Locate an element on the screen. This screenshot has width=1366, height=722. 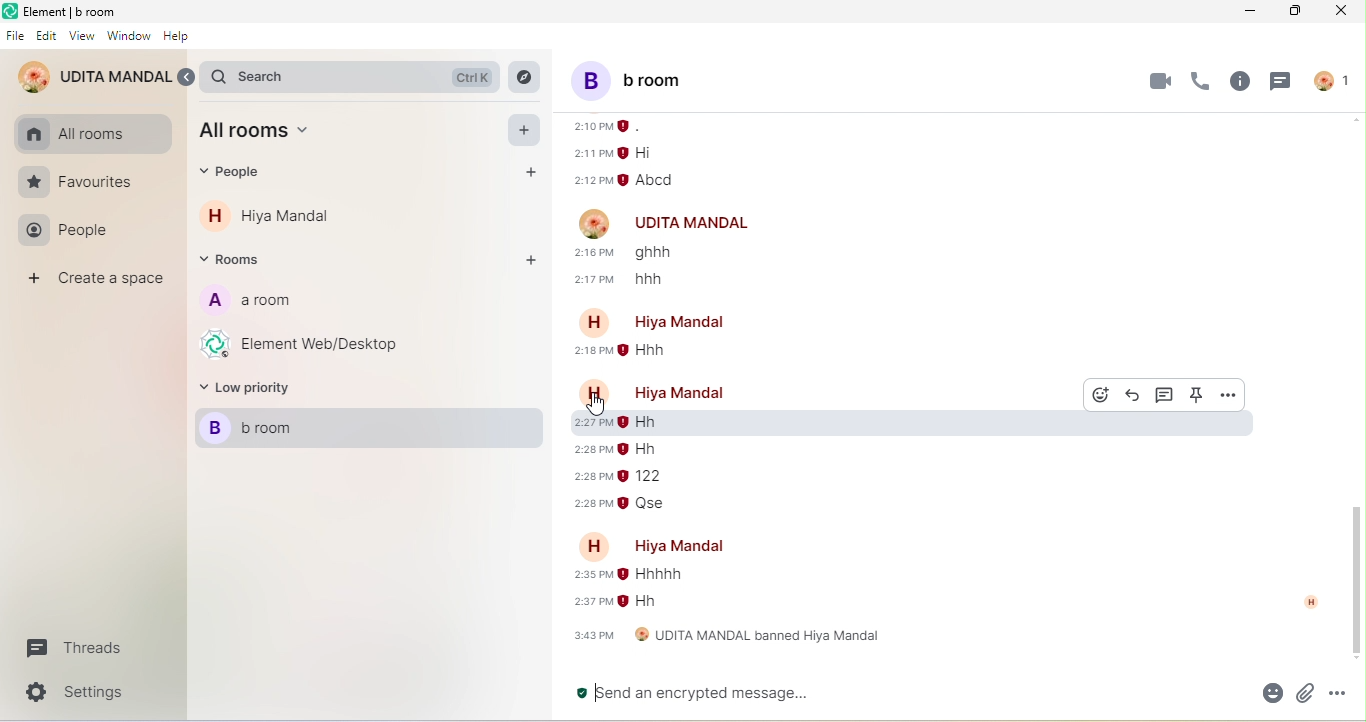
people is located at coordinates (239, 174).